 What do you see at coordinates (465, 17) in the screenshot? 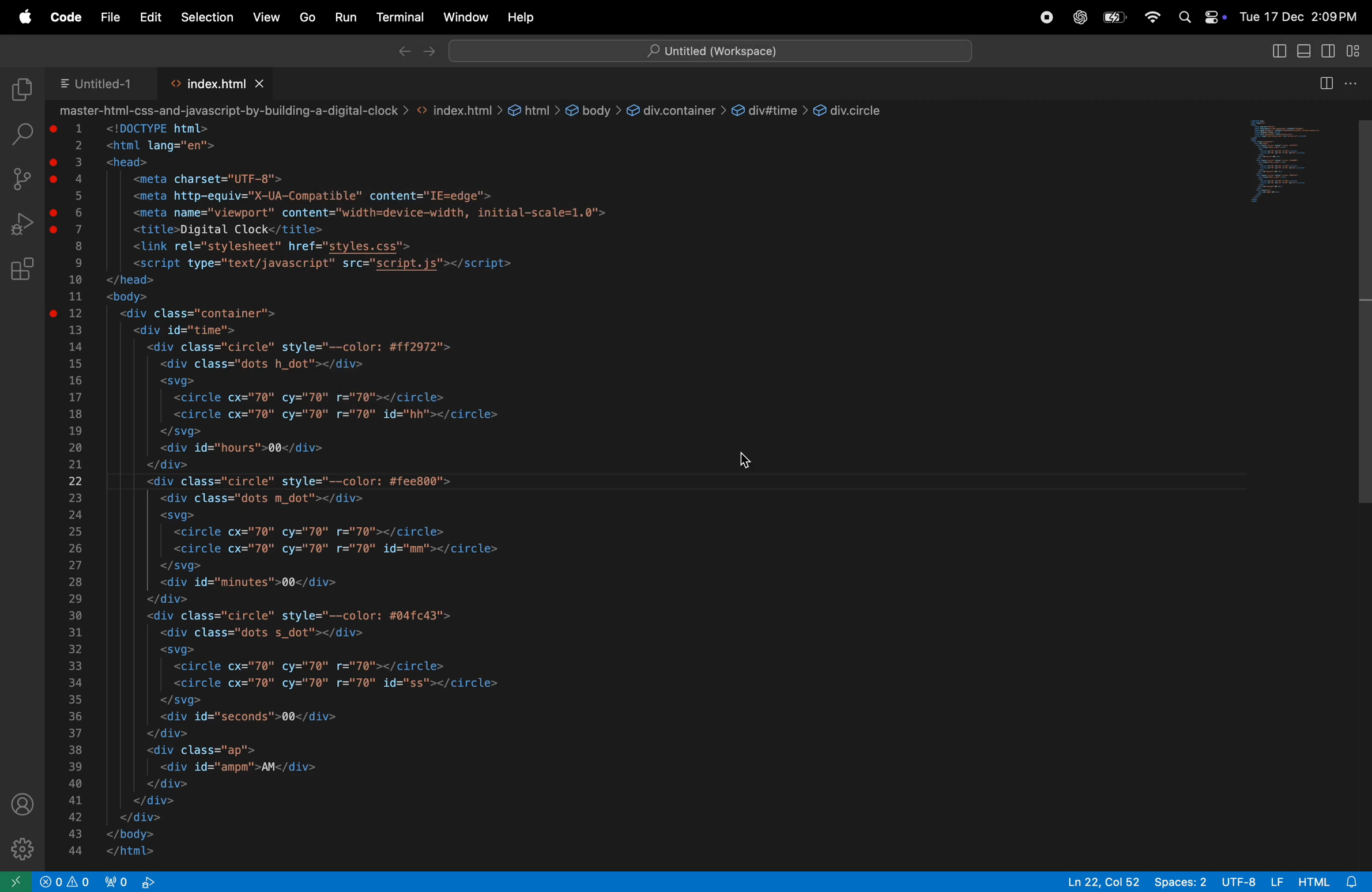
I see `window` at bounding box center [465, 17].